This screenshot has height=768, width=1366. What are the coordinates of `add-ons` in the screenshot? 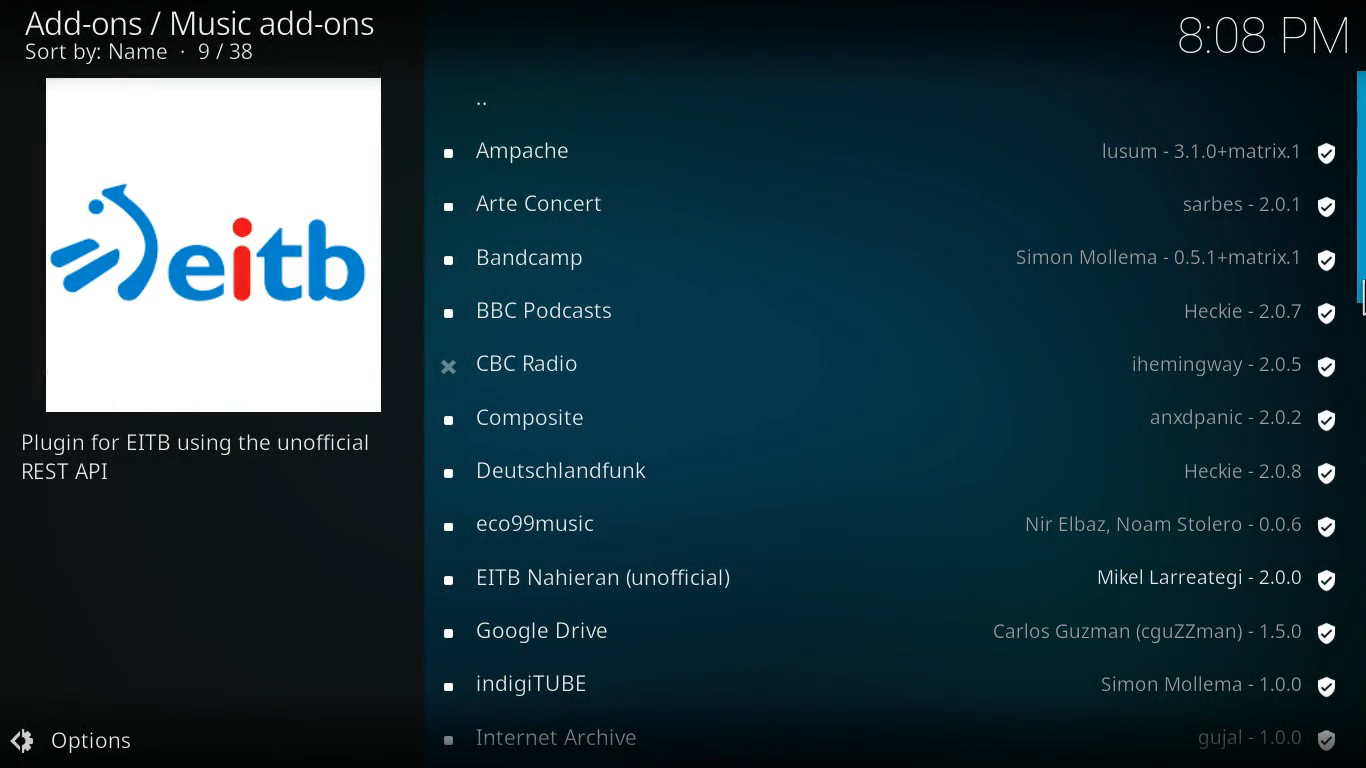 It's located at (527, 259).